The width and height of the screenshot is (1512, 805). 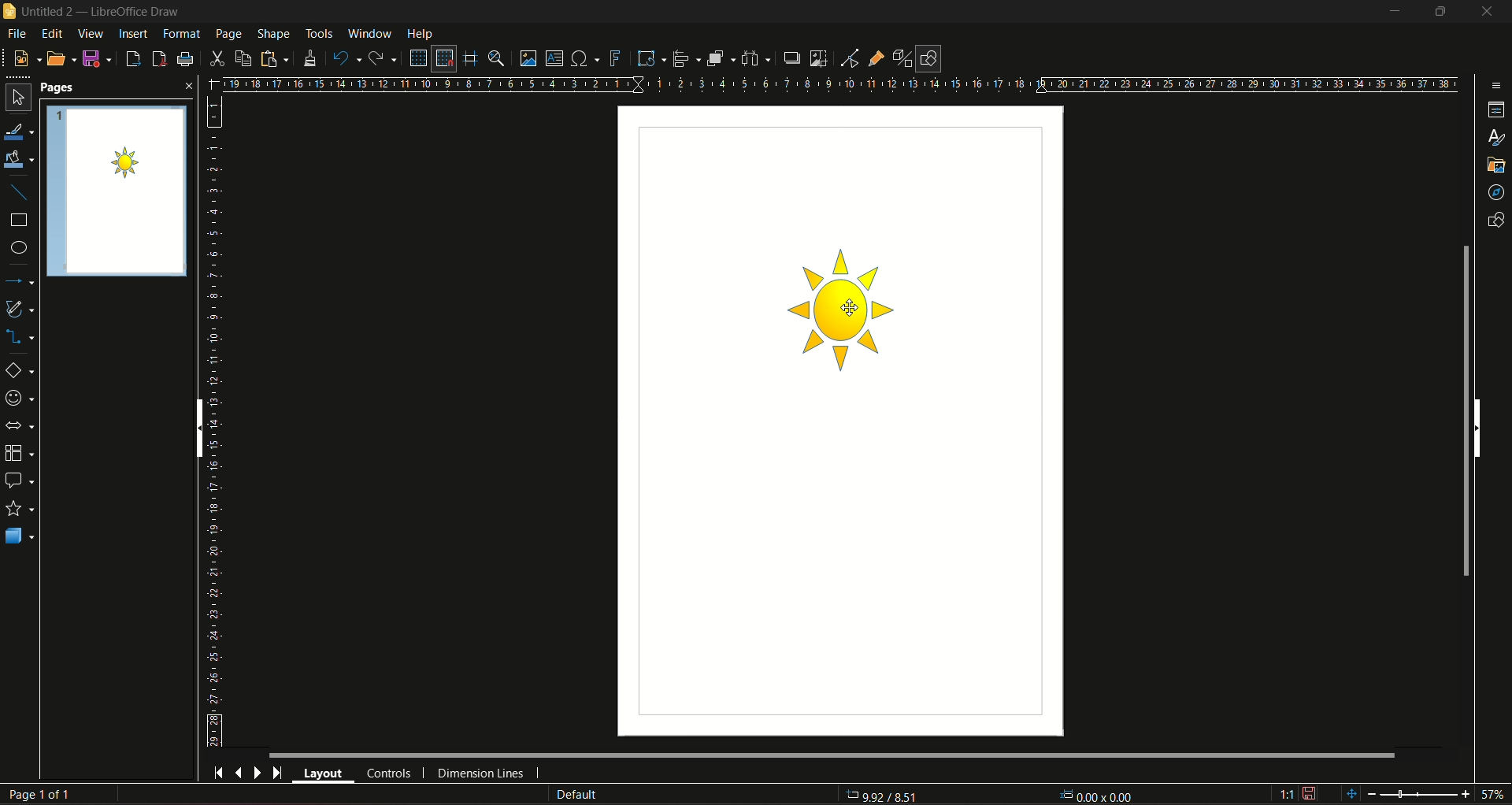 What do you see at coordinates (1310, 794) in the screenshot?
I see `save` at bounding box center [1310, 794].